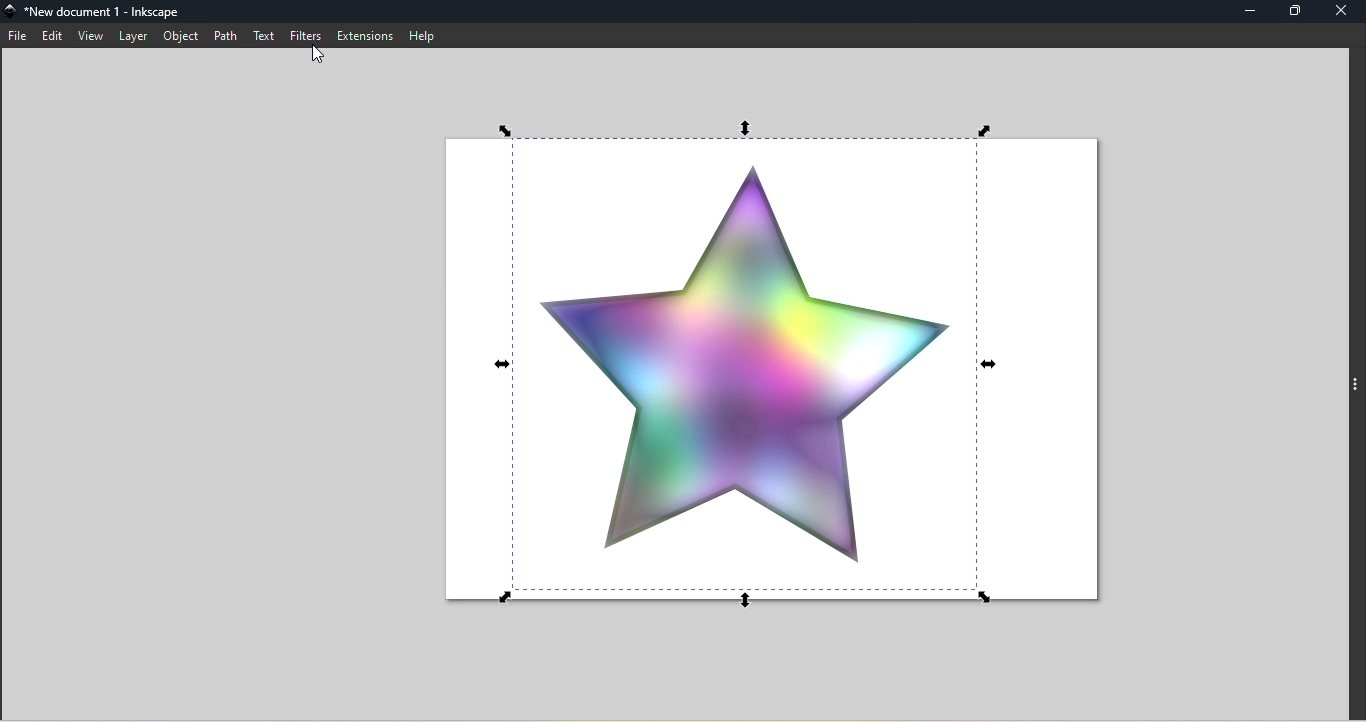 This screenshot has height=722, width=1366. Describe the element at coordinates (93, 37) in the screenshot. I see `View` at that location.